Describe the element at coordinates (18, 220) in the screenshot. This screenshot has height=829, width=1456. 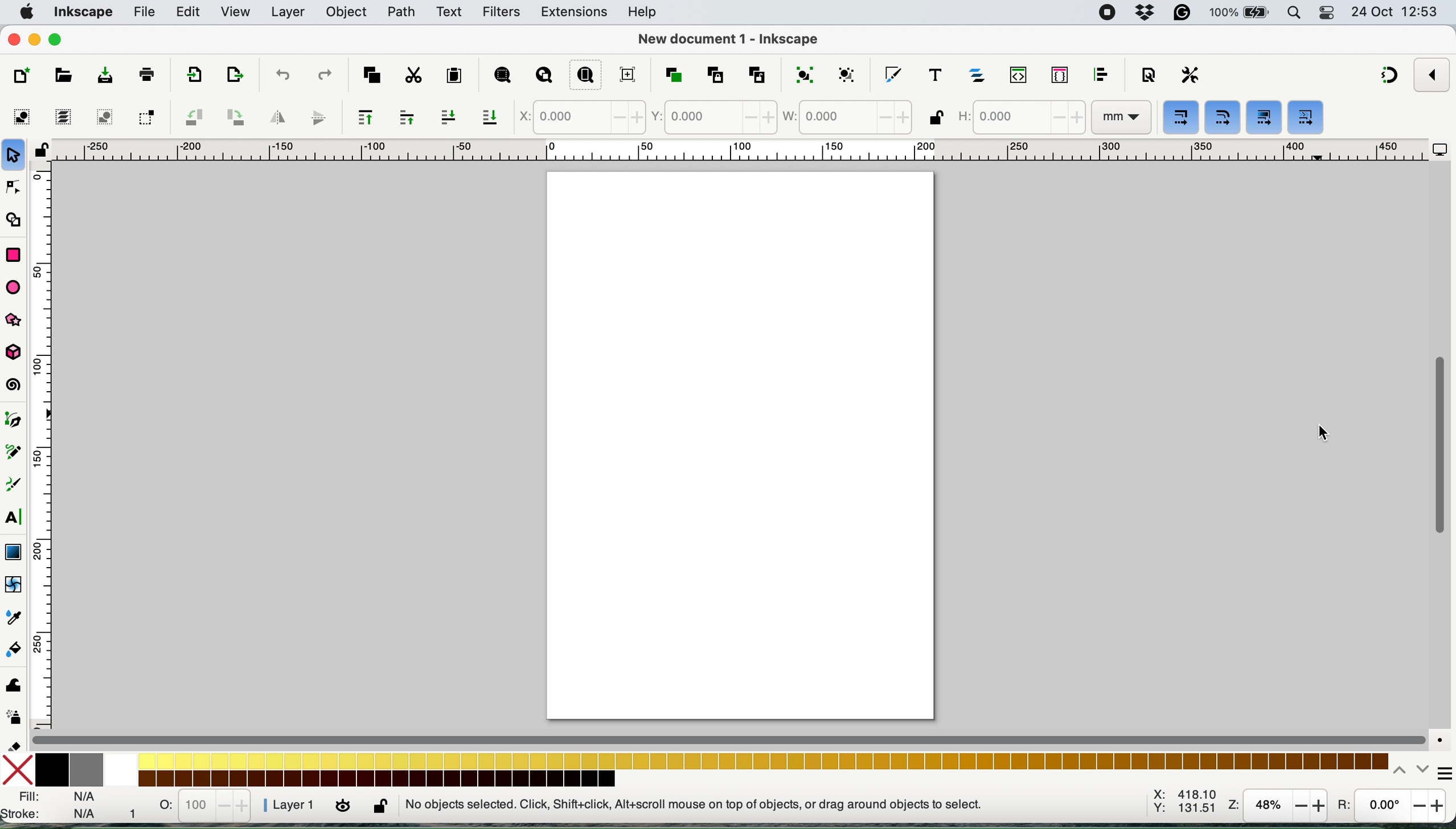
I see `shape builder tool` at that location.